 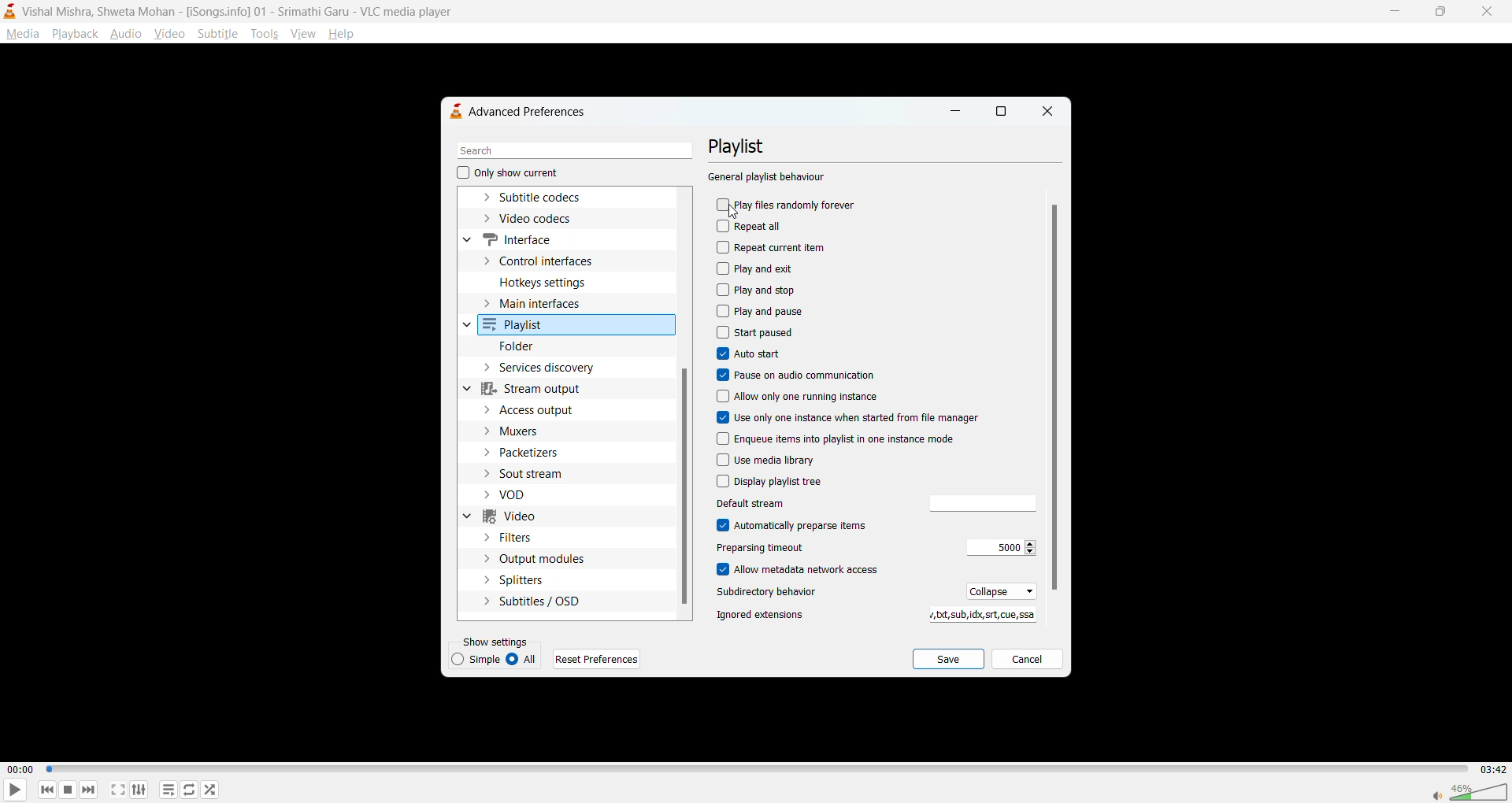 What do you see at coordinates (532, 453) in the screenshot?
I see `packetizers` at bounding box center [532, 453].